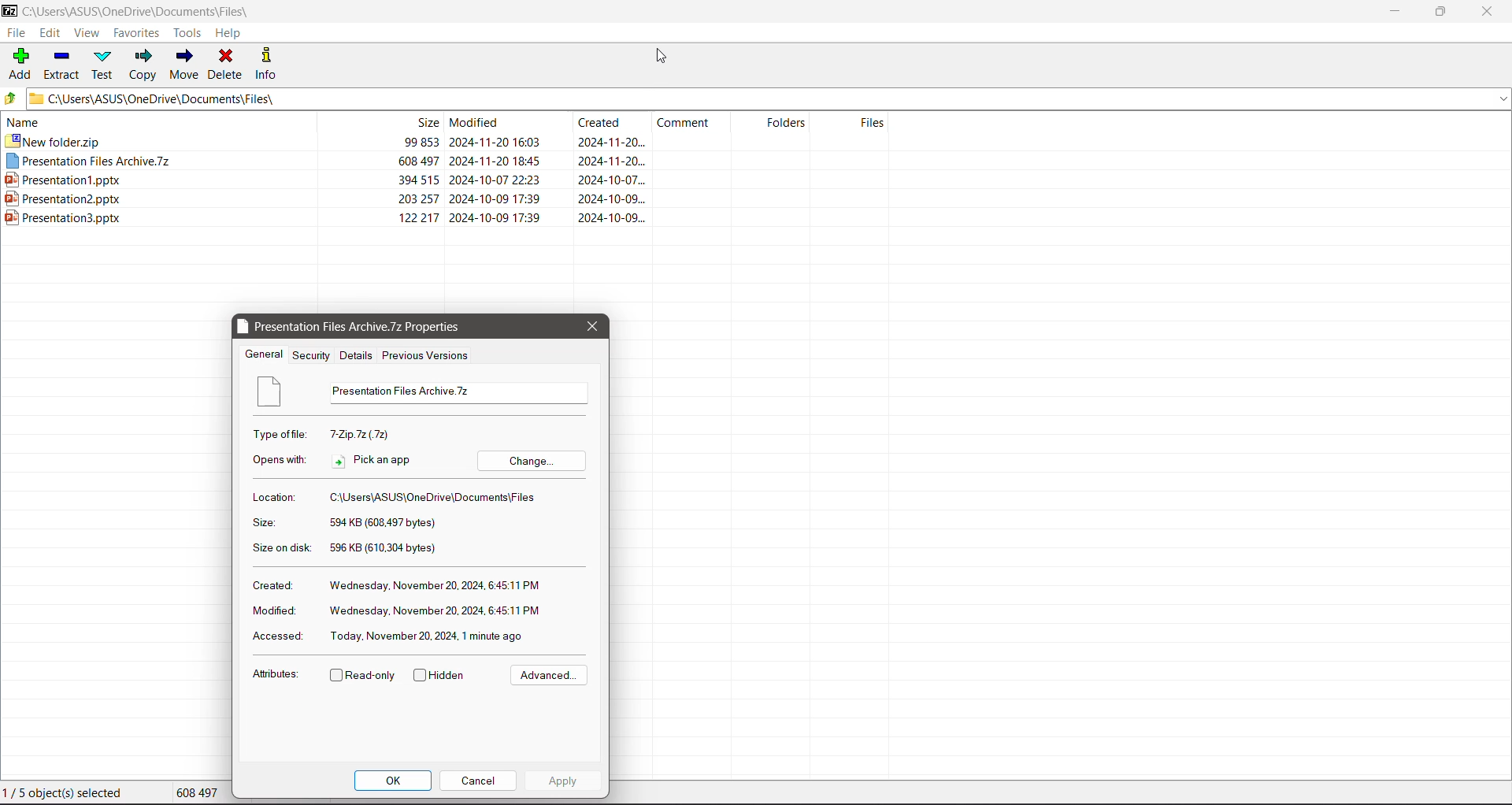 The height and width of the screenshot is (805, 1512). What do you see at coordinates (435, 496) in the screenshot?
I see `File location` at bounding box center [435, 496].